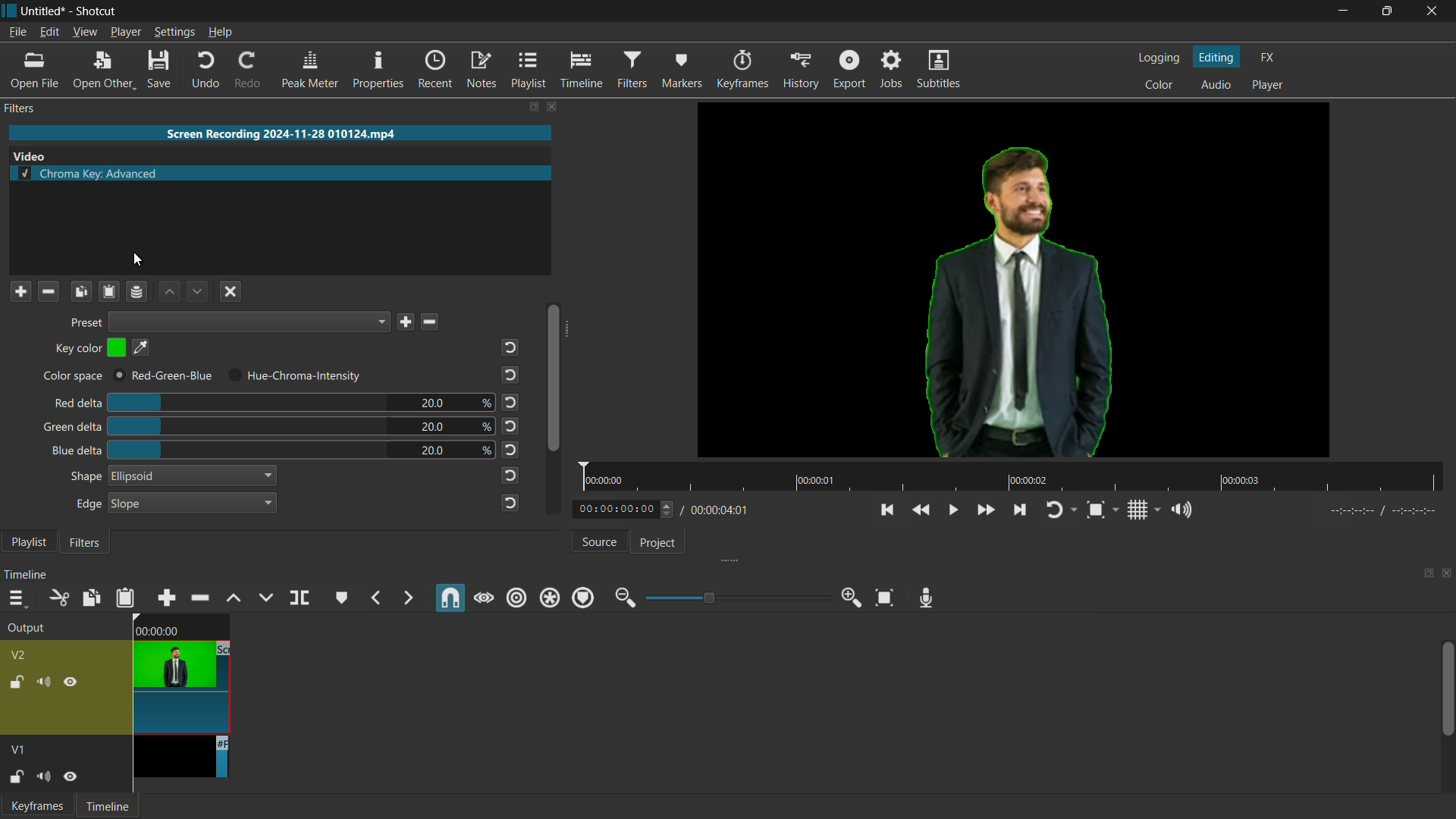  Describe the element at coordinates (1432, 8) in the screenshot. I see `Close` at that location.